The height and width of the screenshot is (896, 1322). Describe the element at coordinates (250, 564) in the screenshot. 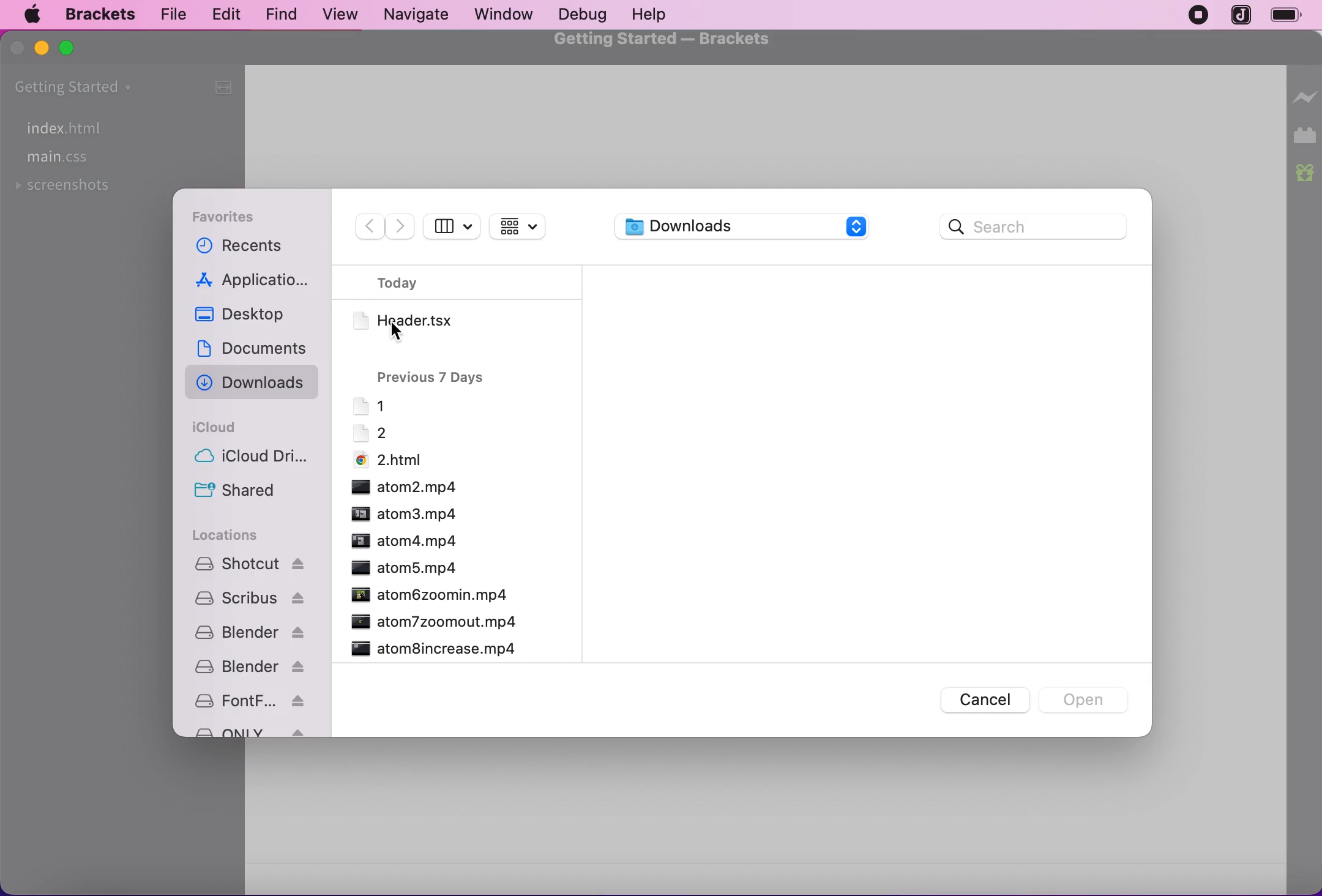

I see `shotcut` at that location.